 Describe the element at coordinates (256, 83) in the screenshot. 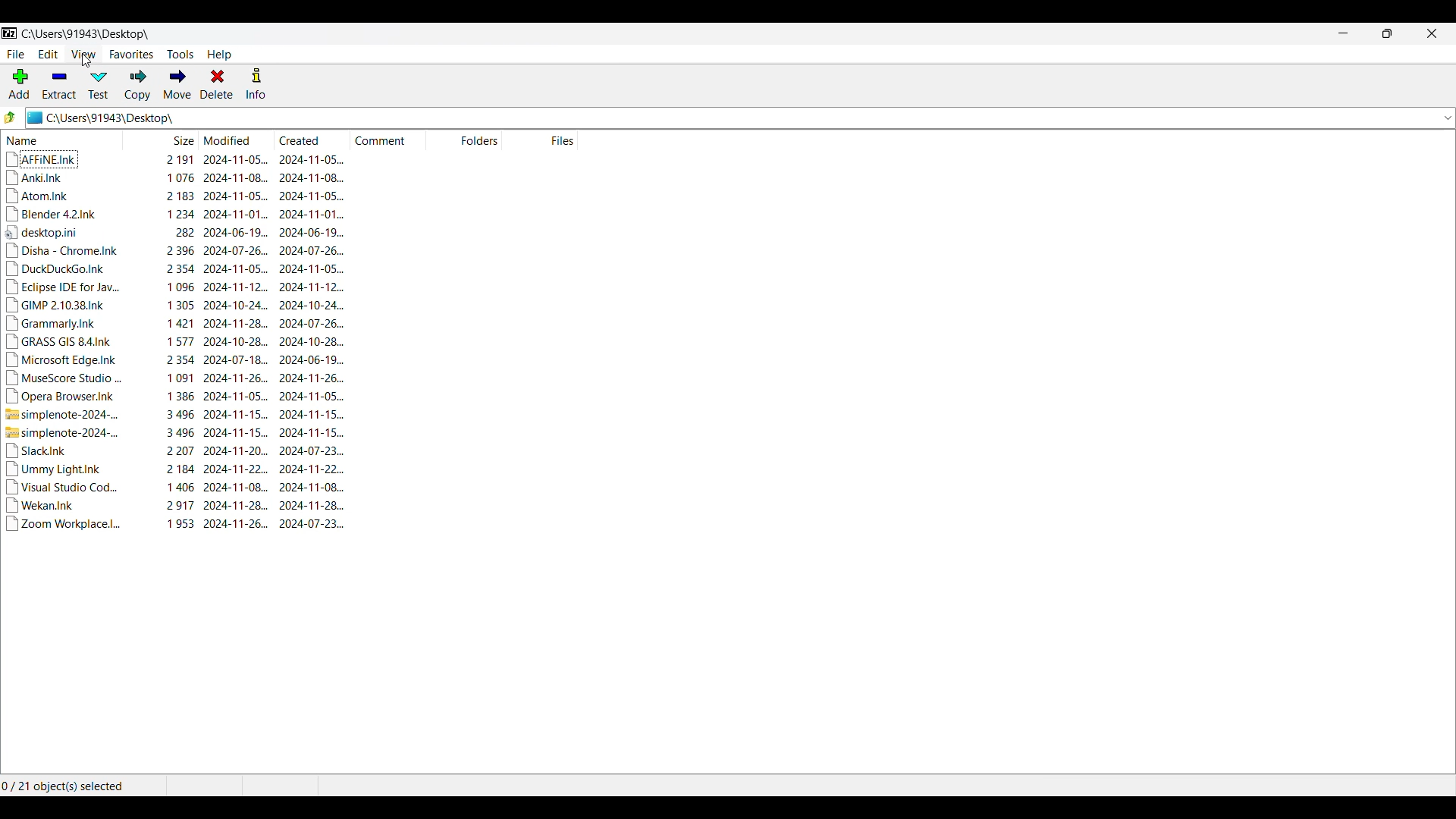

I see `Info` at that location.